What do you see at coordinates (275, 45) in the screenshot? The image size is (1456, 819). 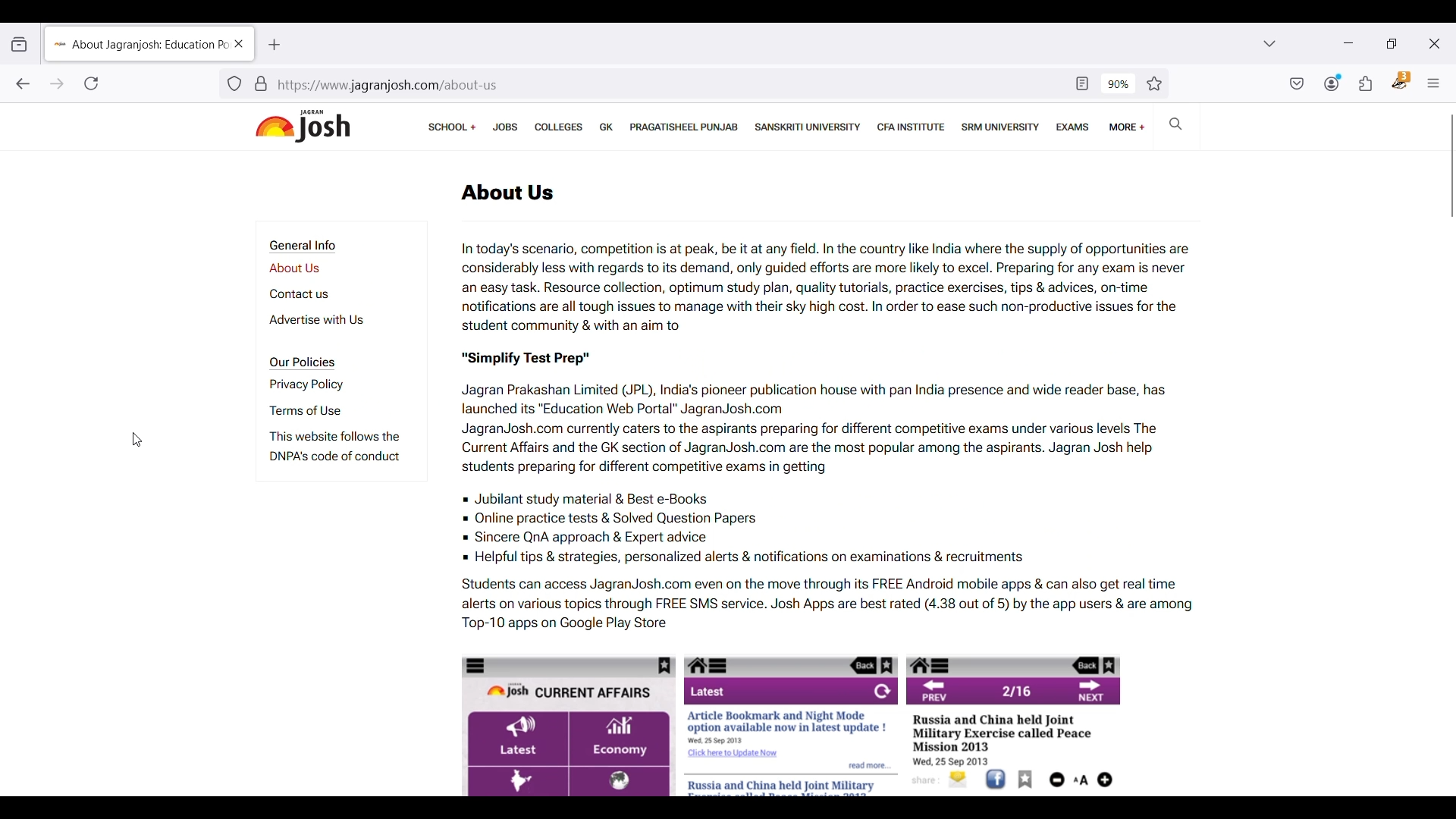 I see `Add new tab` at bounding box center [275, 45].